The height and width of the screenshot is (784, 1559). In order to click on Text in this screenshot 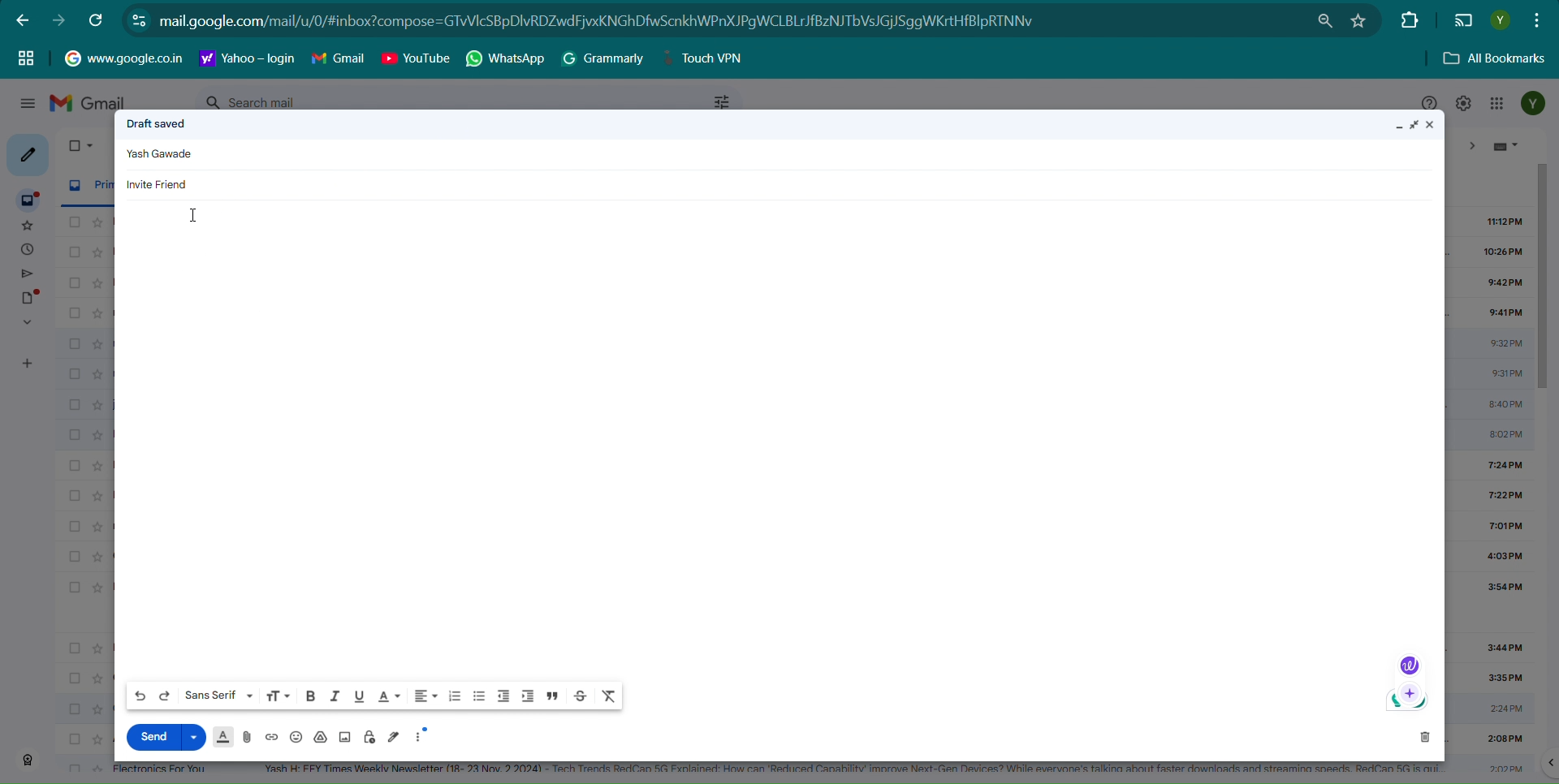, I will do `click(163, 155)`.